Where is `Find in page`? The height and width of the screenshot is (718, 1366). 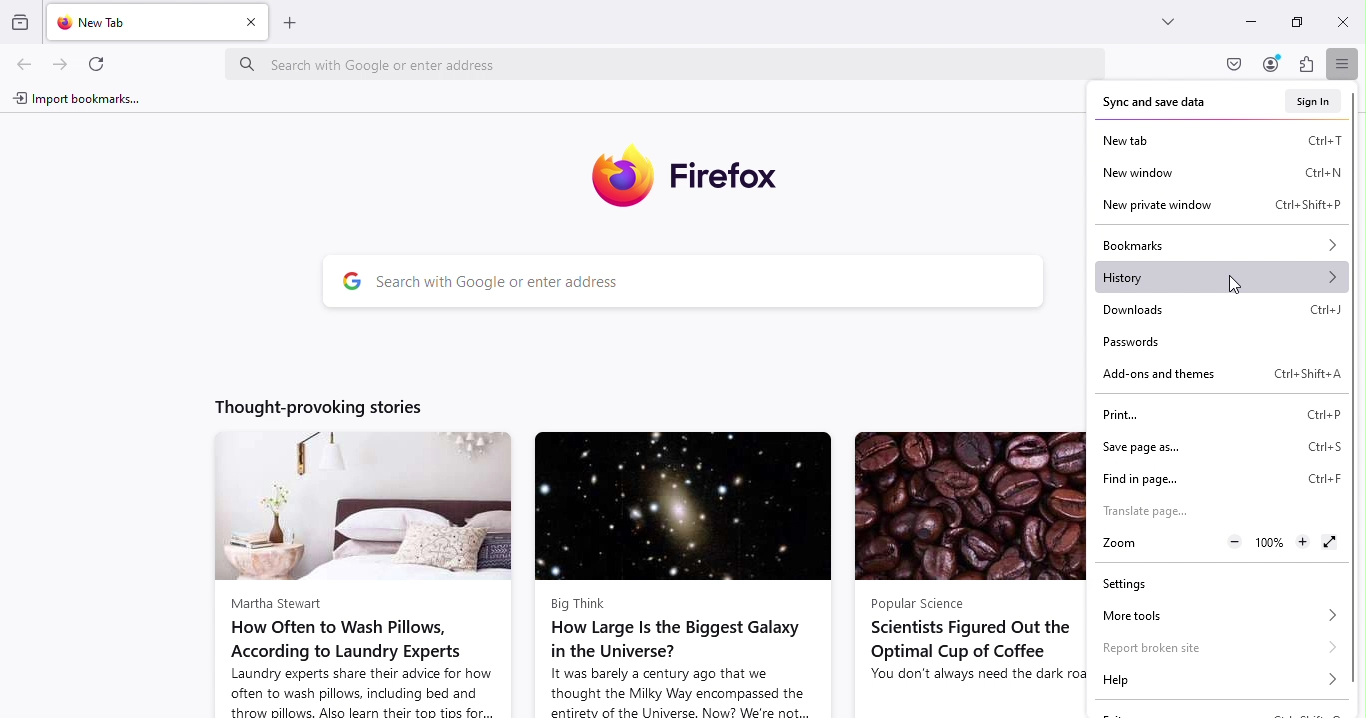
Find in page is located at coordinates (1224, 479).